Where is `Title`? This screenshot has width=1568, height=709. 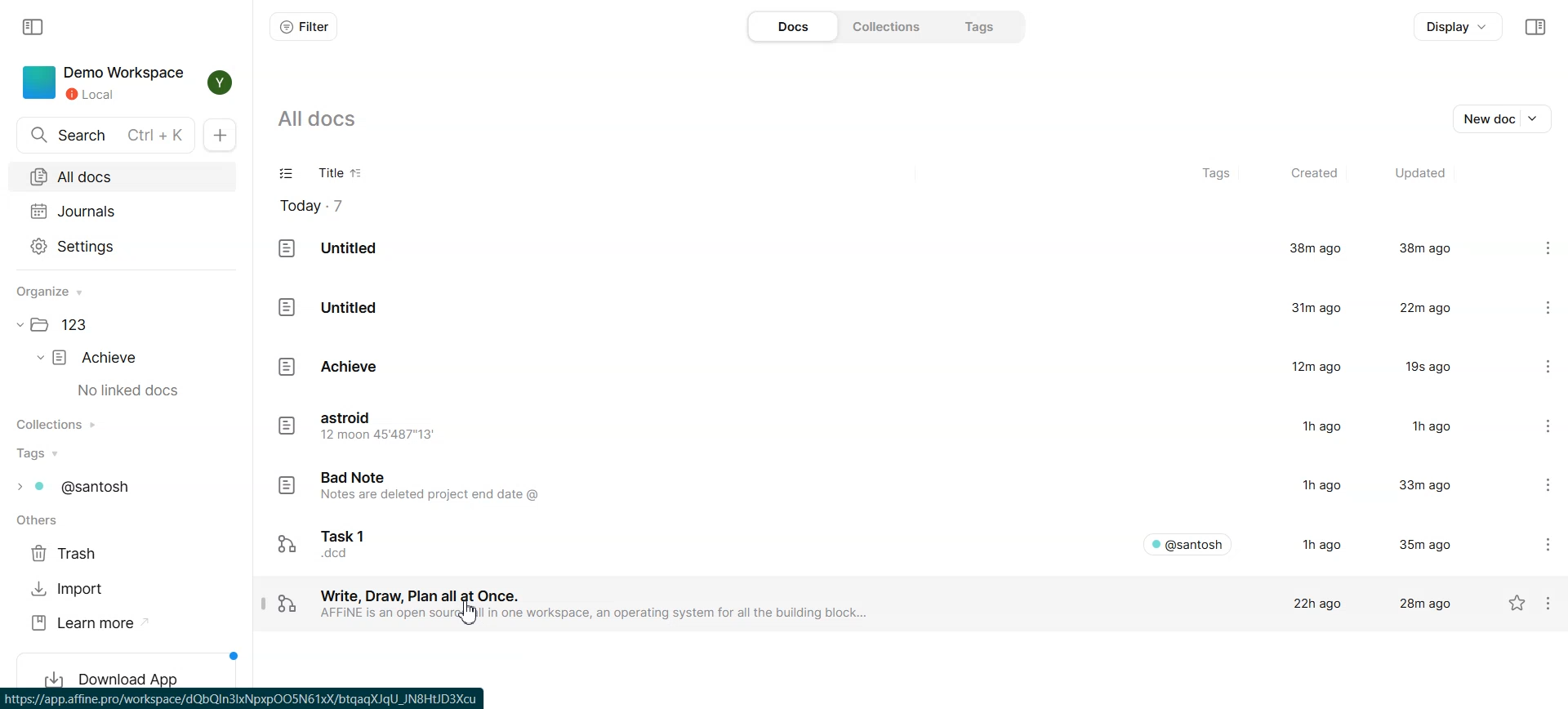 Title is located at coordinates (326, 175).